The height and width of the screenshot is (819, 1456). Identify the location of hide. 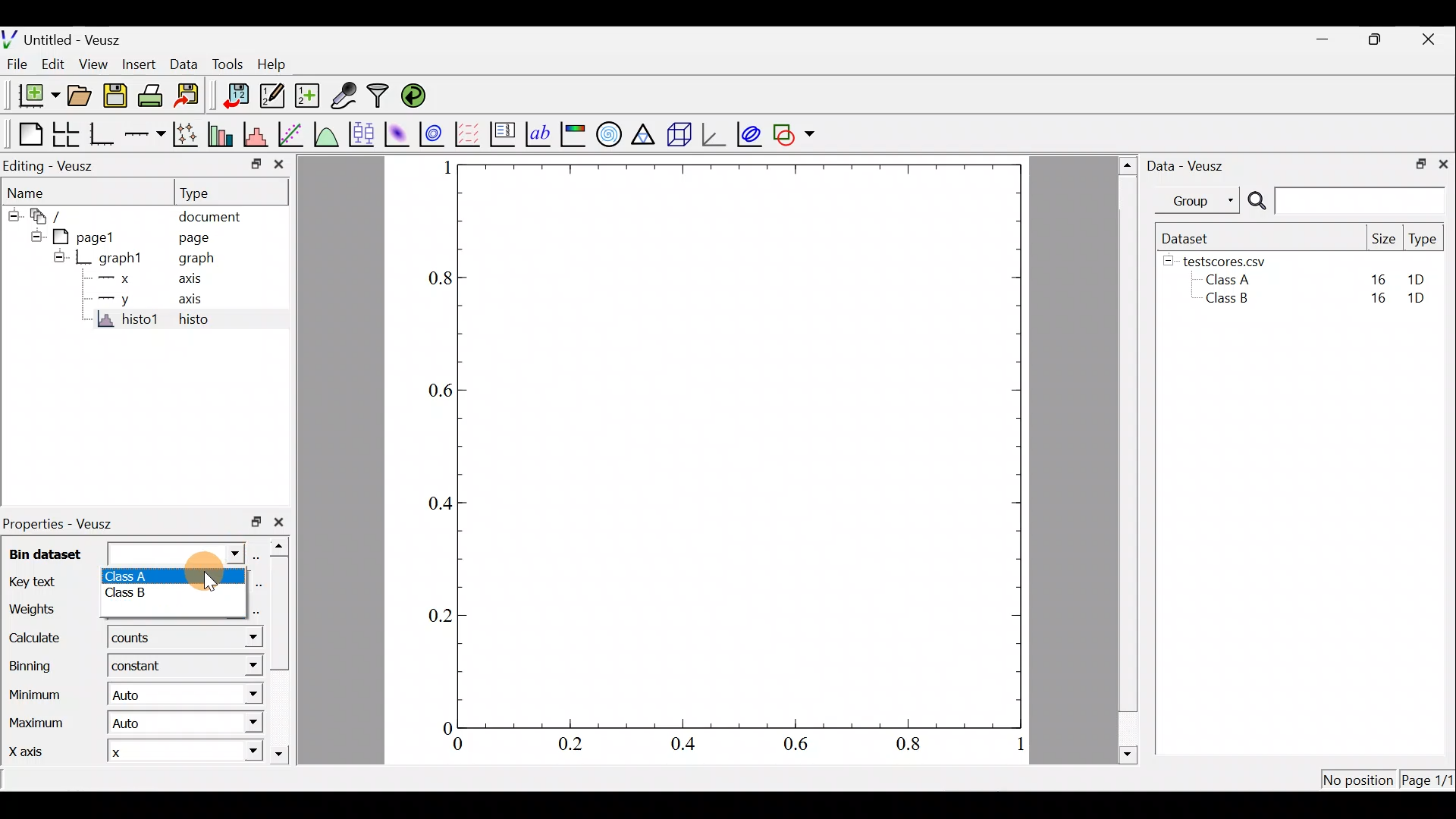
(1169, 262).